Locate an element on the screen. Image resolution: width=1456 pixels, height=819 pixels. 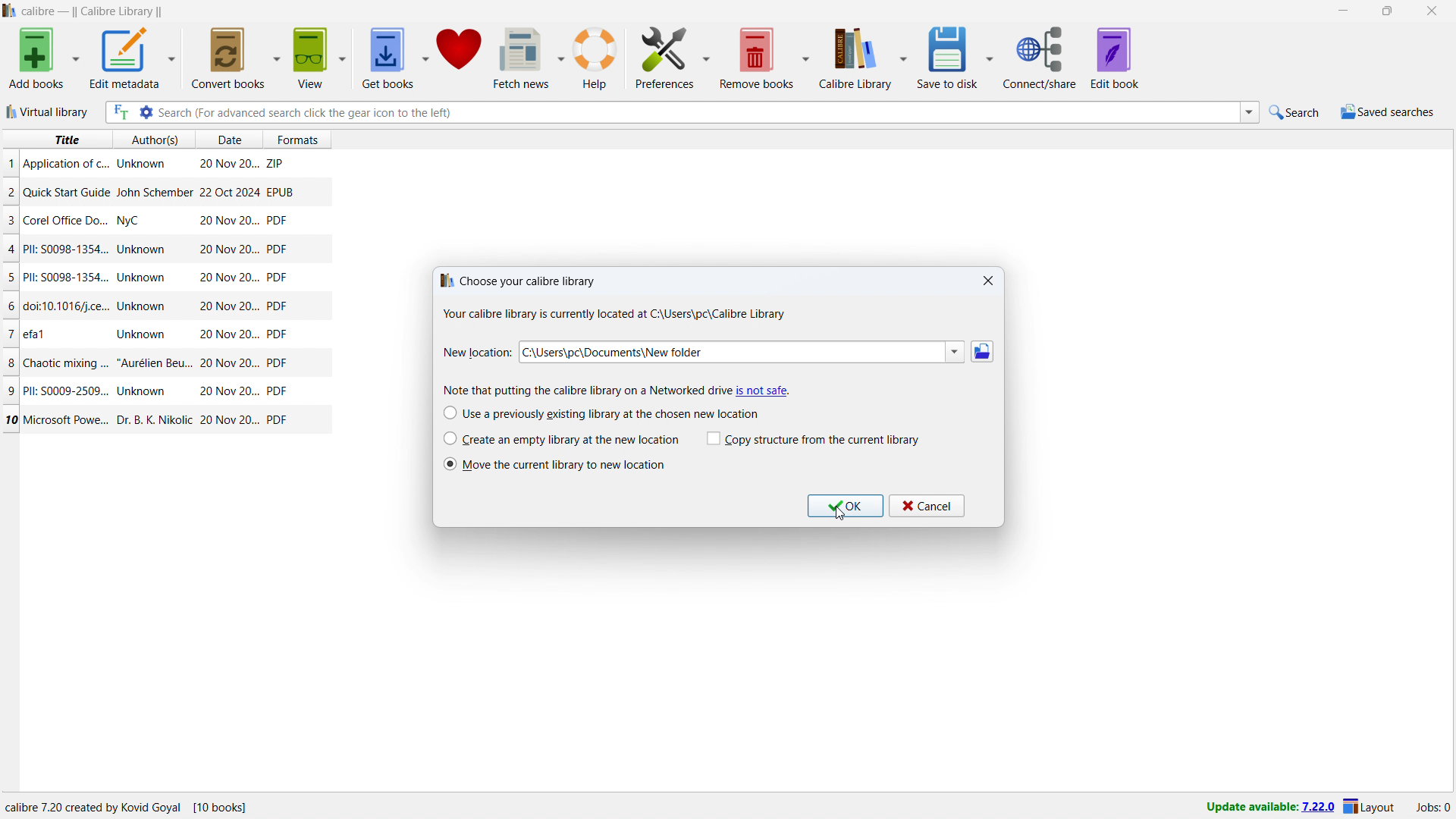
Date is located at coordinates (229, 249).